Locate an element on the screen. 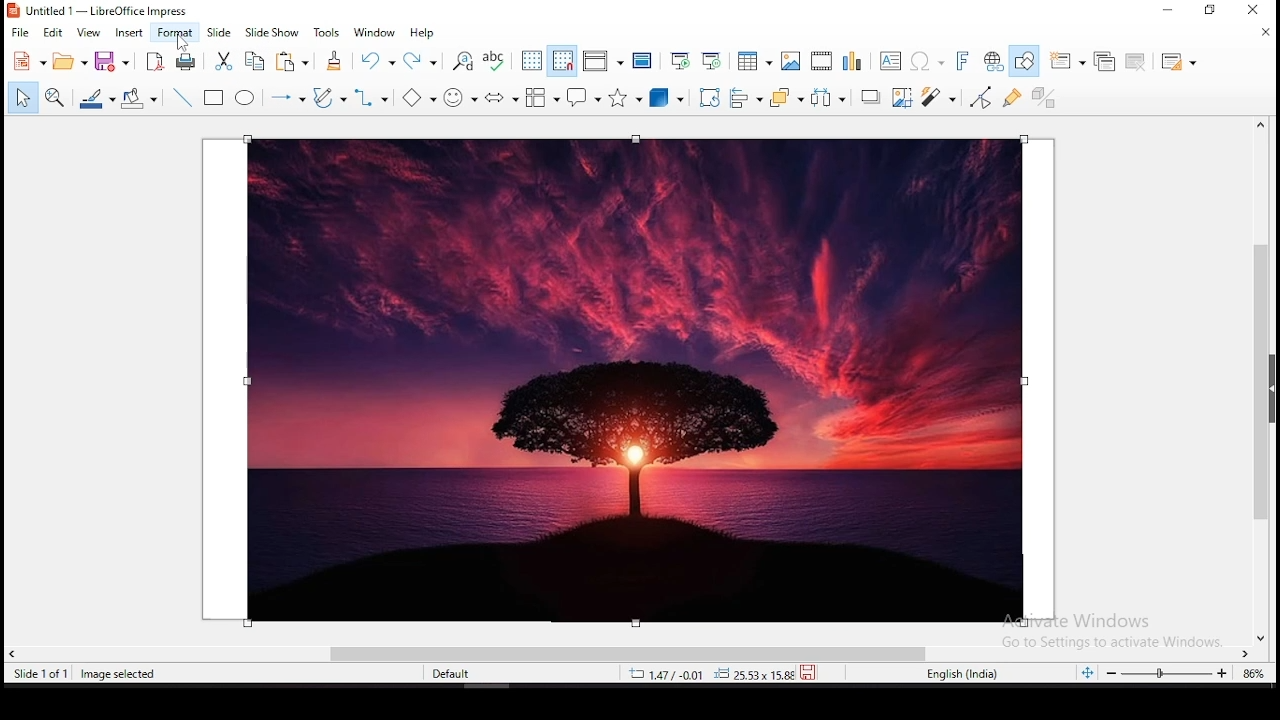 This screenshot has width=1280, height=720. tables is located at coordinates (752, 61).